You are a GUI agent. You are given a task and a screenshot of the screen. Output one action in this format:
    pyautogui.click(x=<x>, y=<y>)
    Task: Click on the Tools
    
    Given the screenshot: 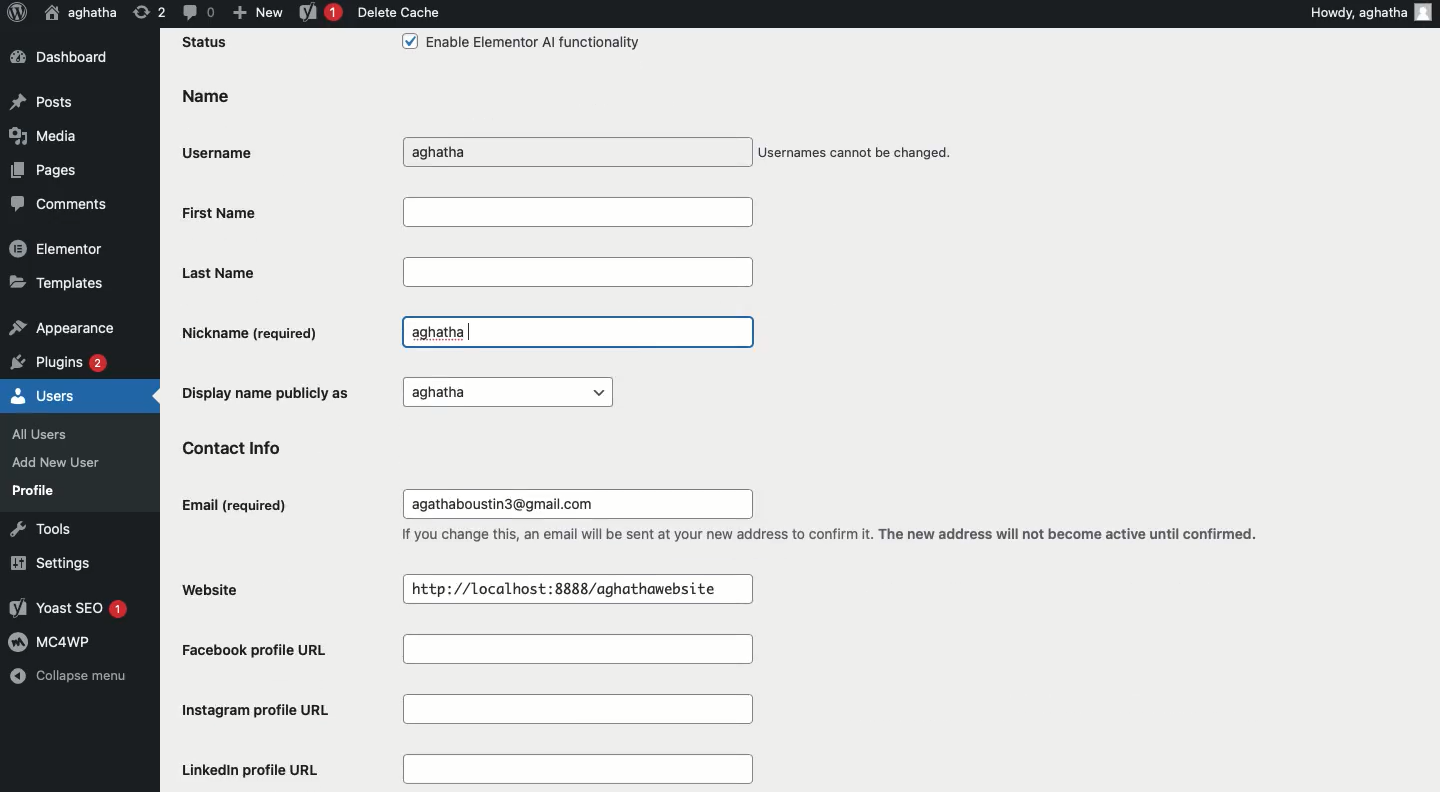 What is the action you would take?
    pyautogui.click(x=37, y=528)
    